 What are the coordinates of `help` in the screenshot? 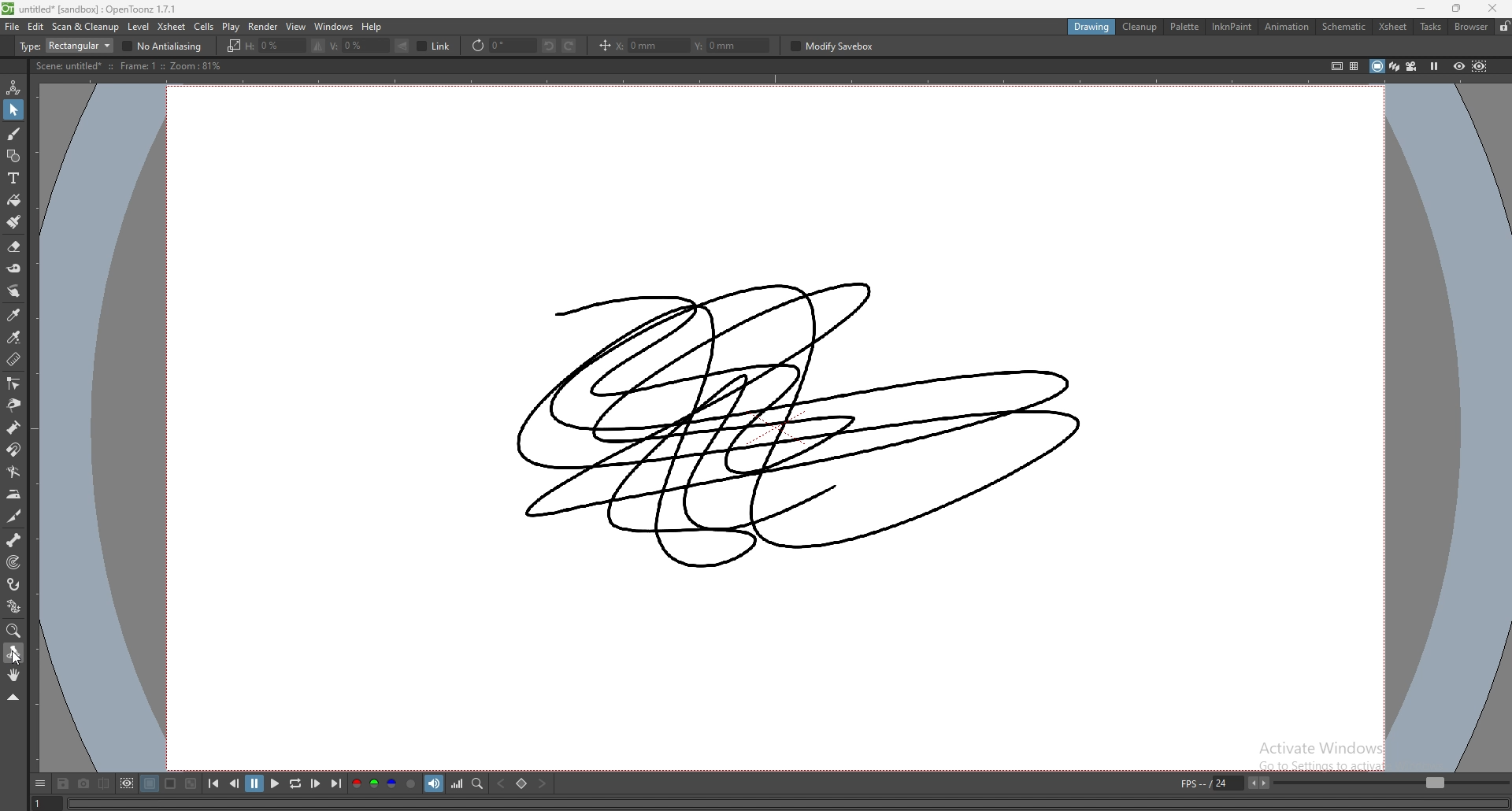 It's located at (372, 27).